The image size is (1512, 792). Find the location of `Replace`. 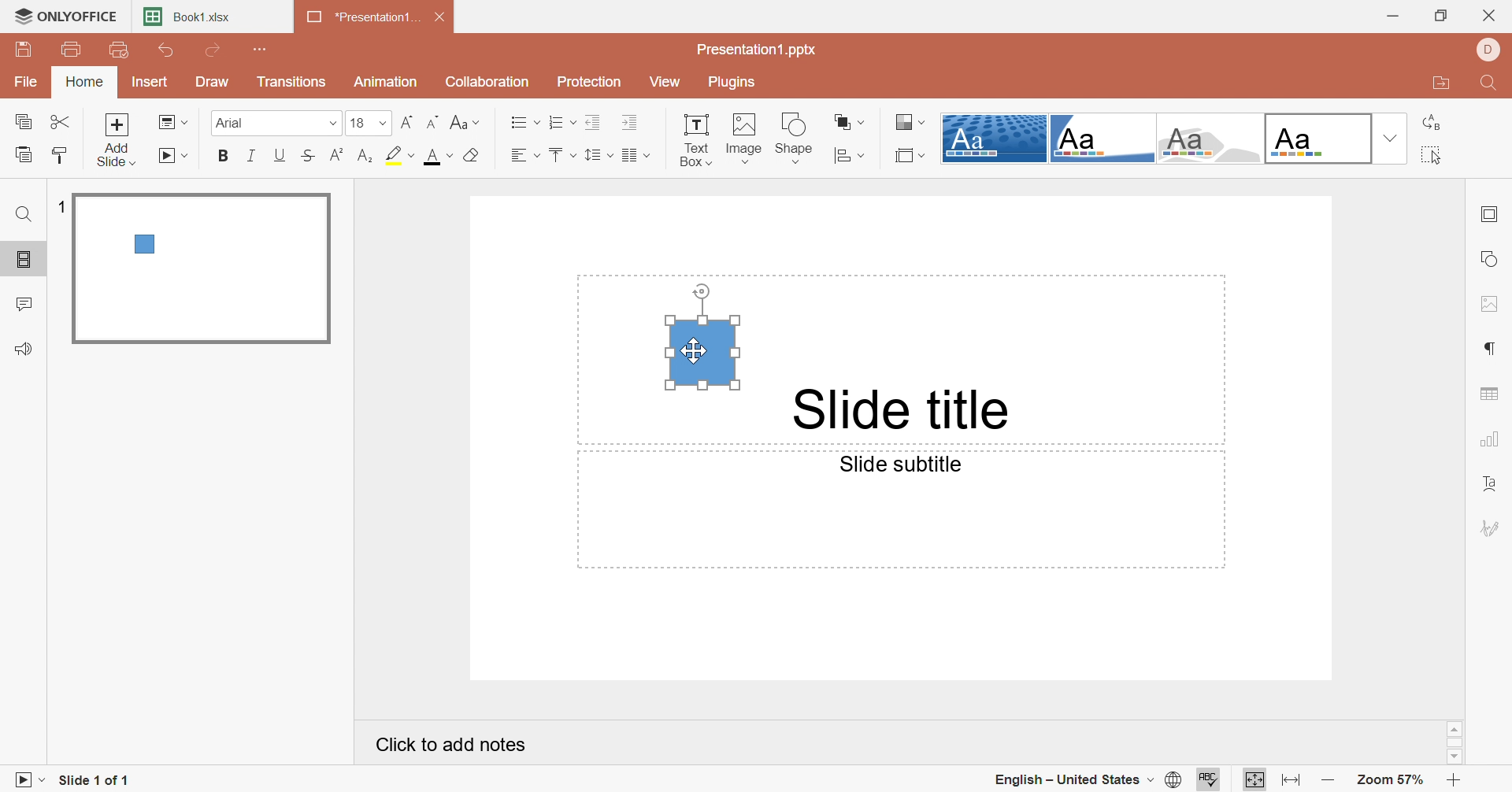

Replace is located at coordinates (1431, 124).